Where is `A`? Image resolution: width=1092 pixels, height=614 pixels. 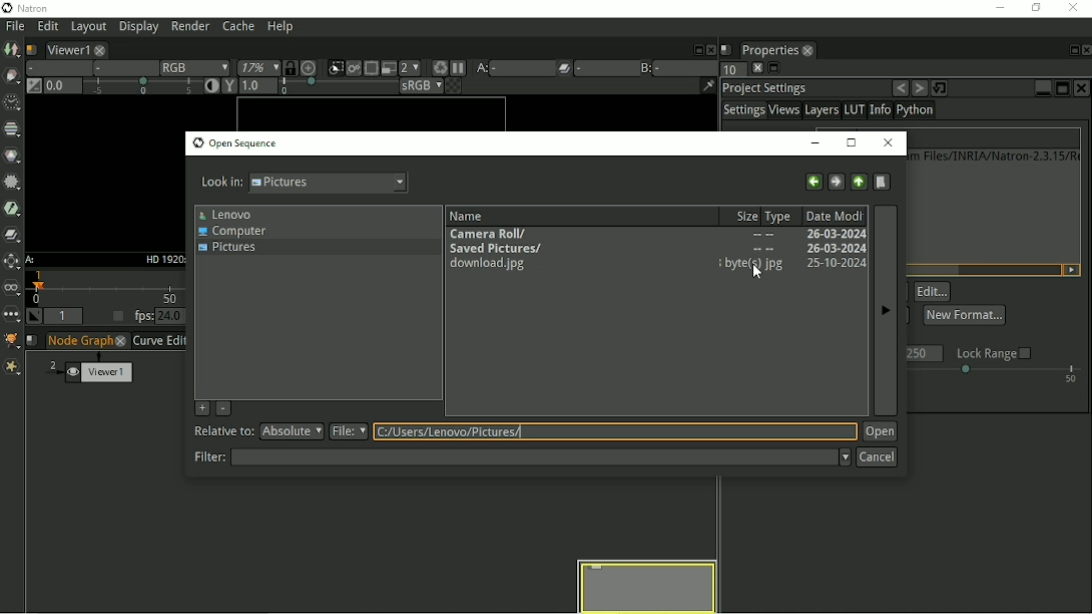 A is located at coordinates (31, 260).